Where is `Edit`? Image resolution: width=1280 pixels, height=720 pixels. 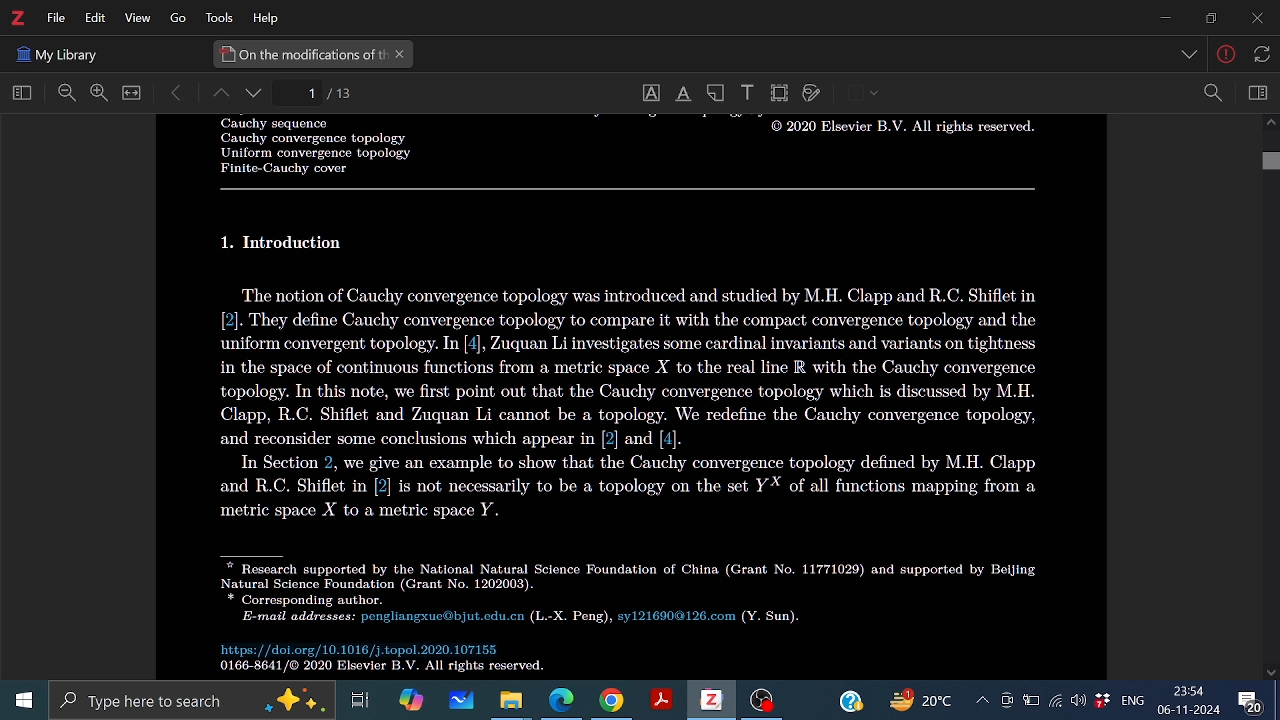 Edit is located at coordinates (92, 18).